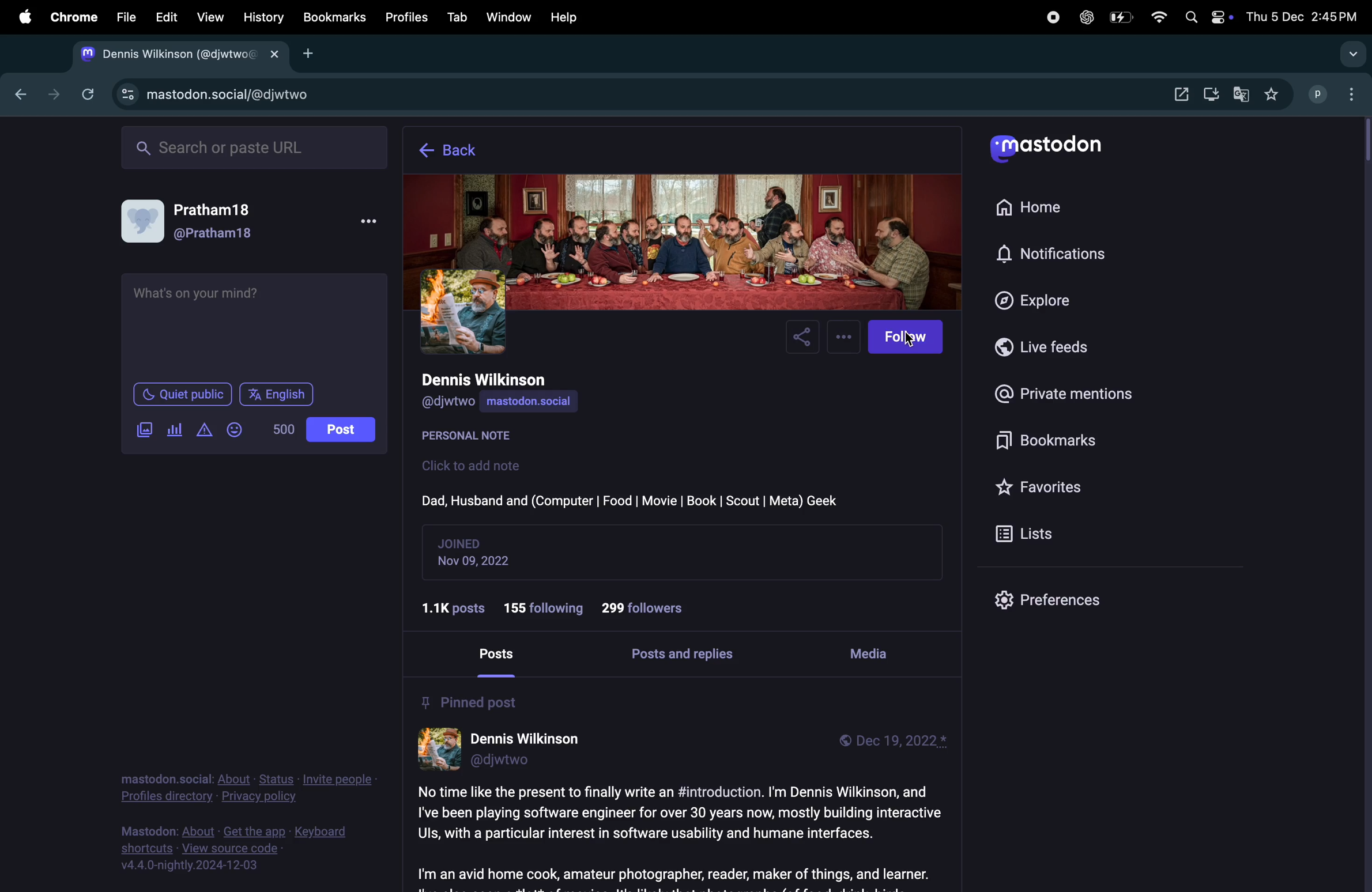  I want to click on pricvacy policy, so click(243, 789).